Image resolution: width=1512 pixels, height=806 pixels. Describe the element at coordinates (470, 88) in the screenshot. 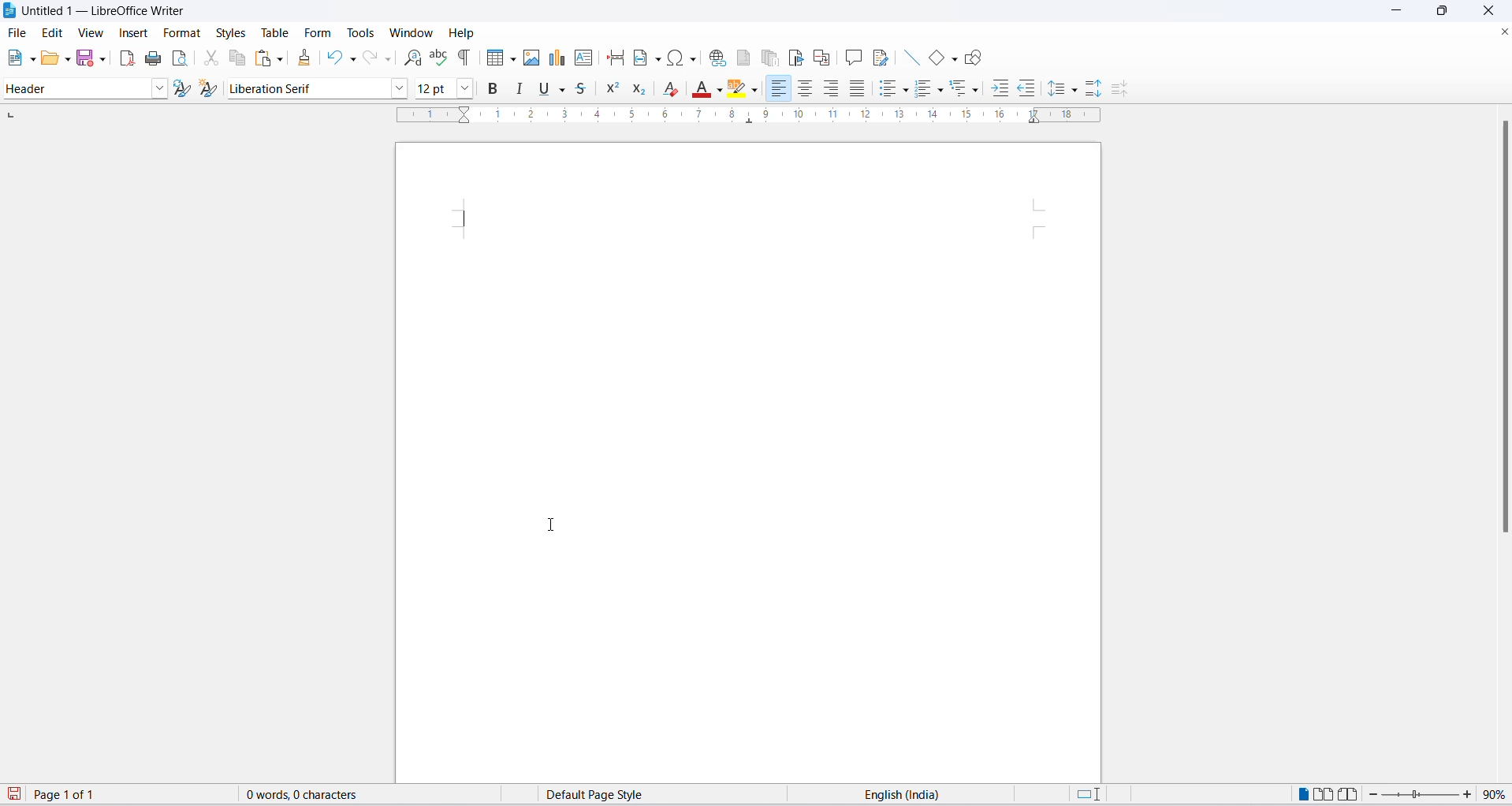

I see `font size options` at that location.